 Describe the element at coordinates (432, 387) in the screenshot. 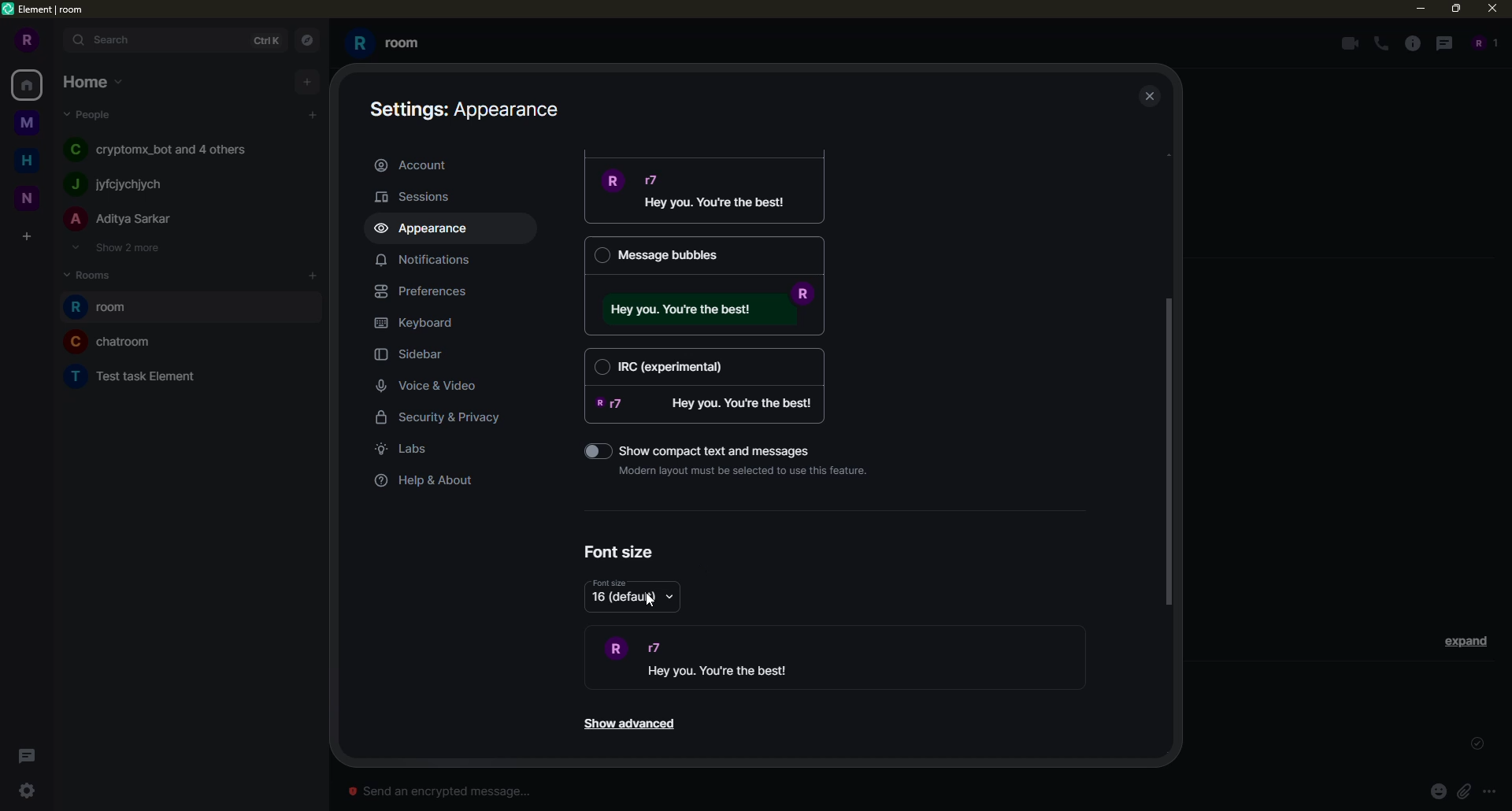

I see `voice & video` at that location.